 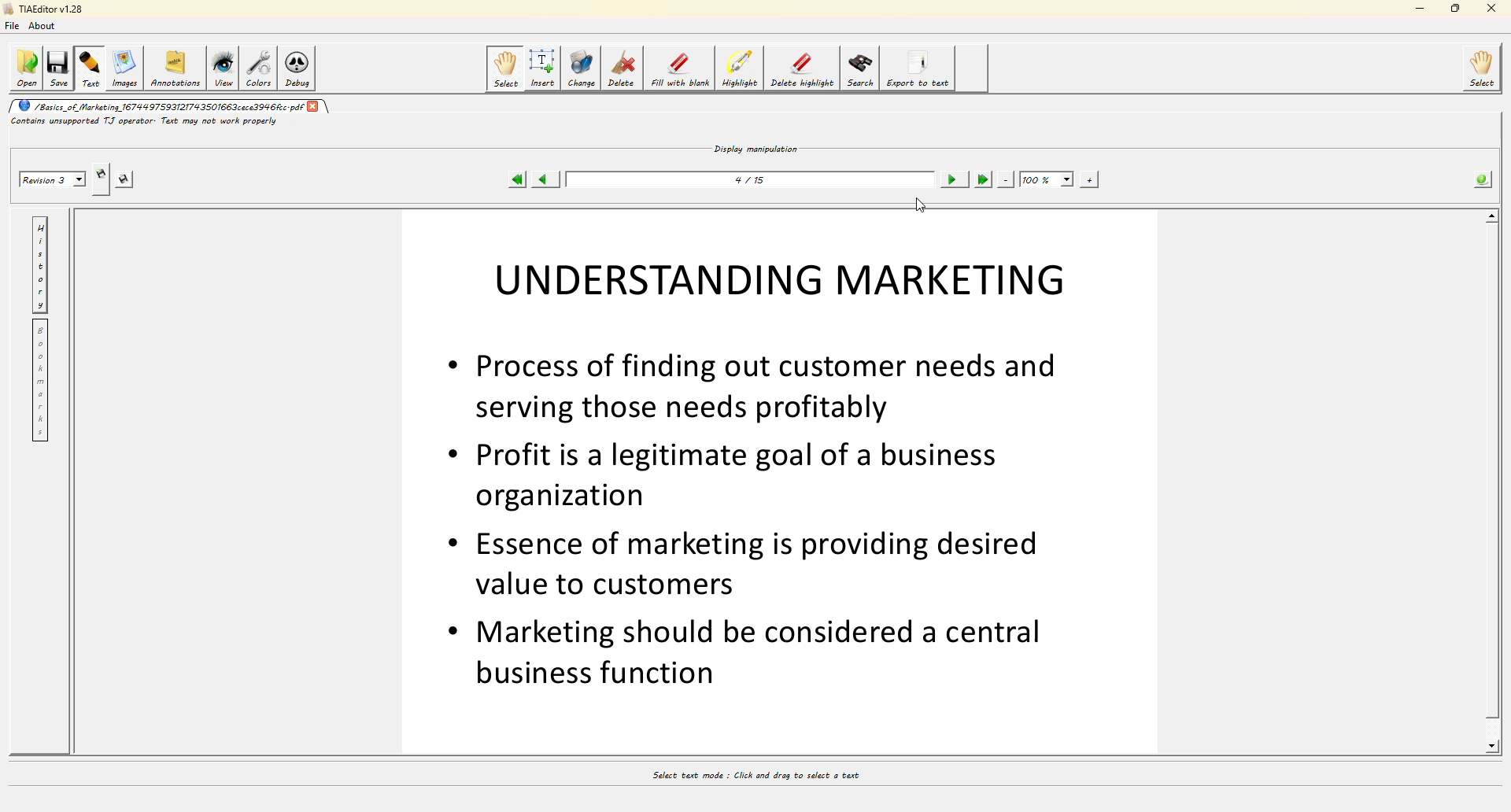 What do you see at coordinates (58, 69) in the screenshot?
I see `save` at bounding box center [58, 69].